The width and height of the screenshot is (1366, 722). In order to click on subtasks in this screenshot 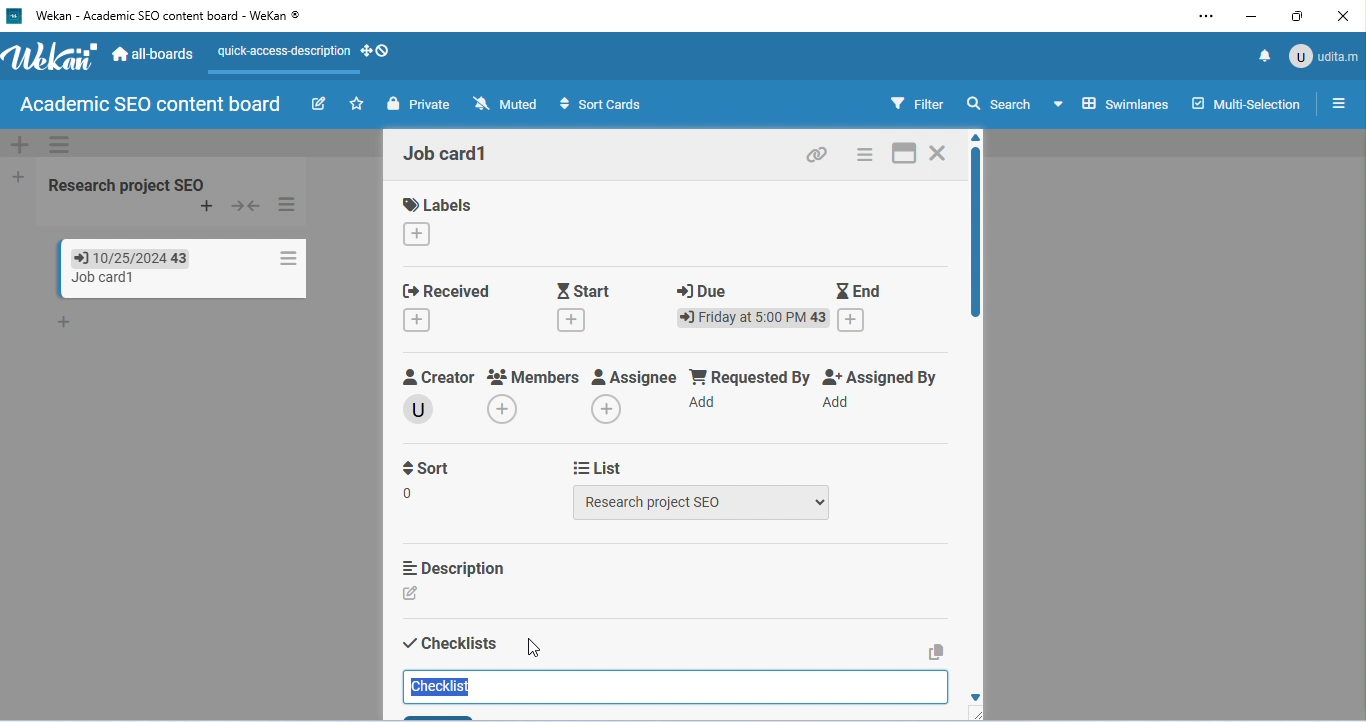, I will do `click(447, 714)`.